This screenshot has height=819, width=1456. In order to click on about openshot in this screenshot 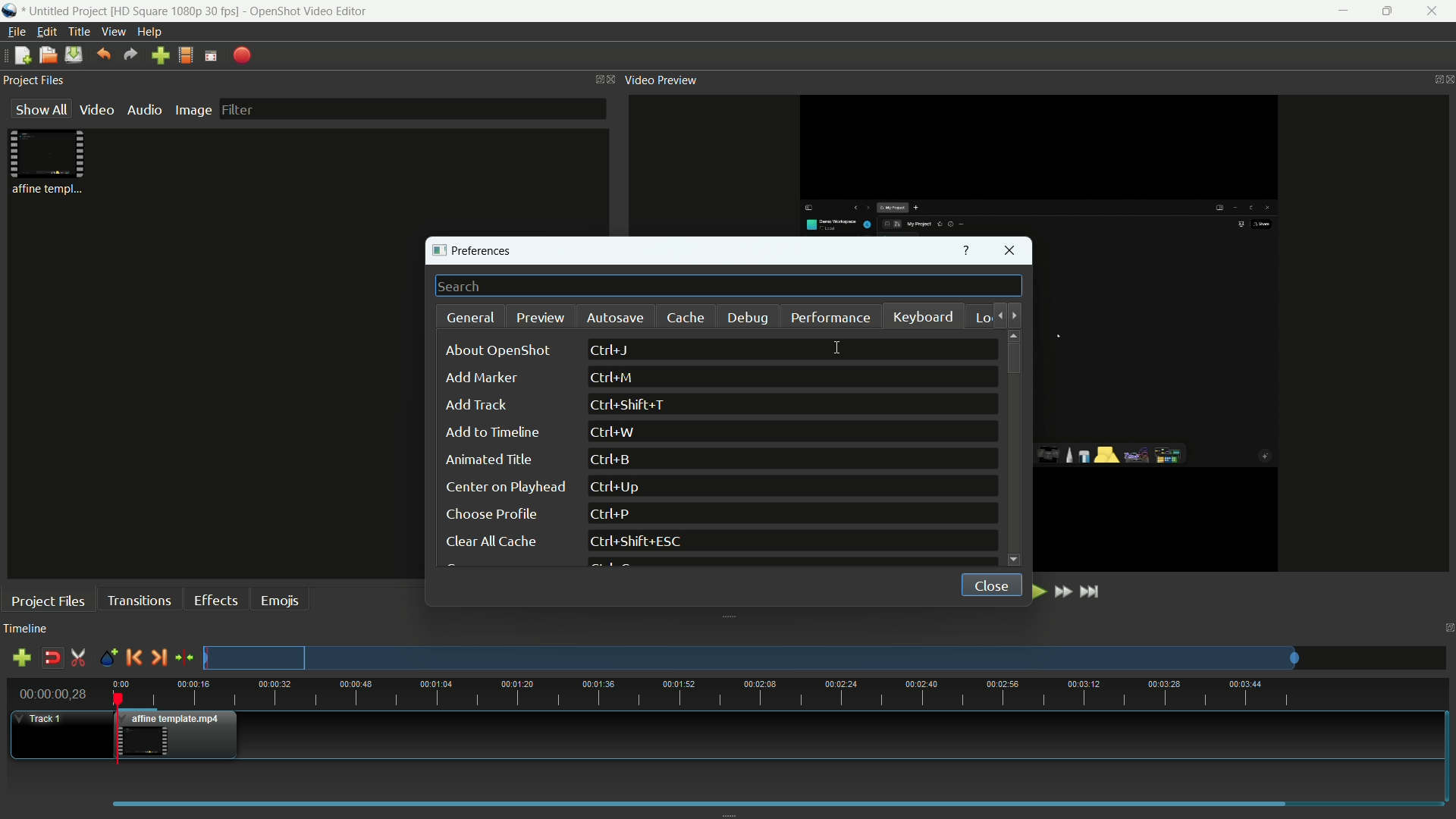, I will do `click(502, 350)`.